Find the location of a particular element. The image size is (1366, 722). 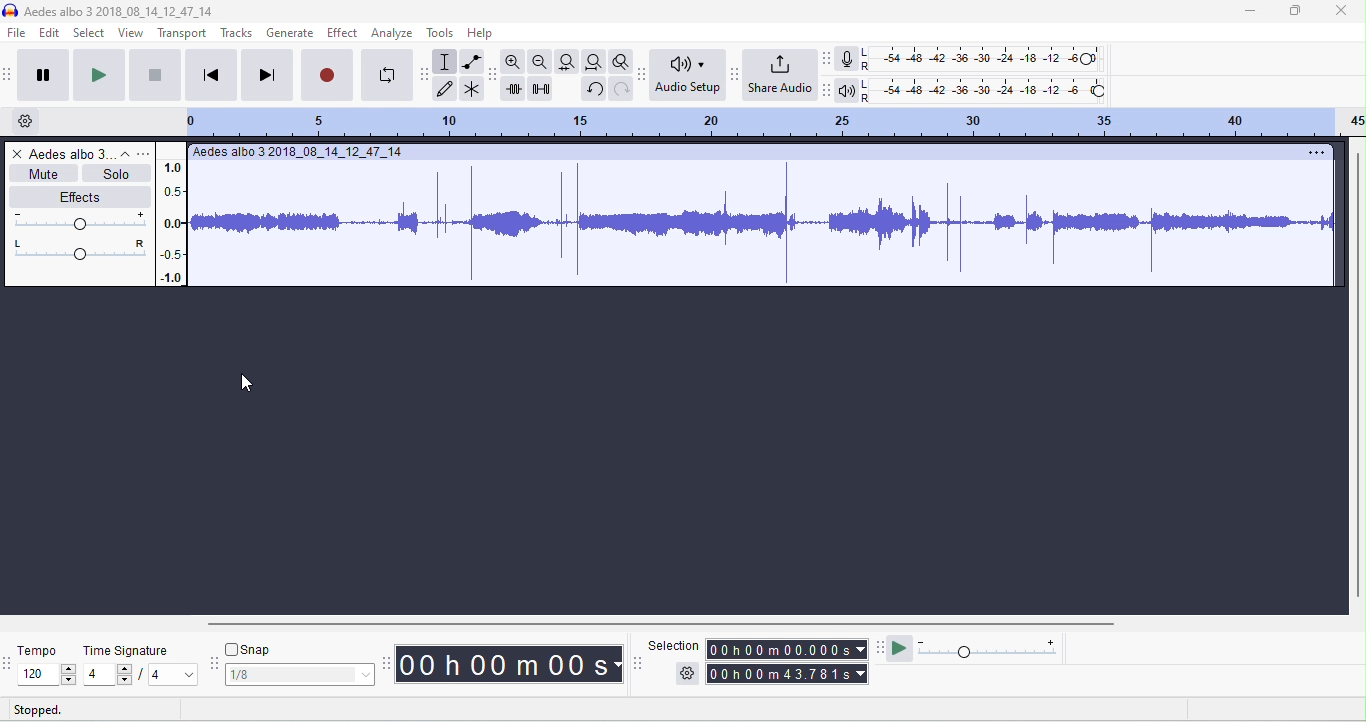

timeline options is located at coordinates (25, 120).